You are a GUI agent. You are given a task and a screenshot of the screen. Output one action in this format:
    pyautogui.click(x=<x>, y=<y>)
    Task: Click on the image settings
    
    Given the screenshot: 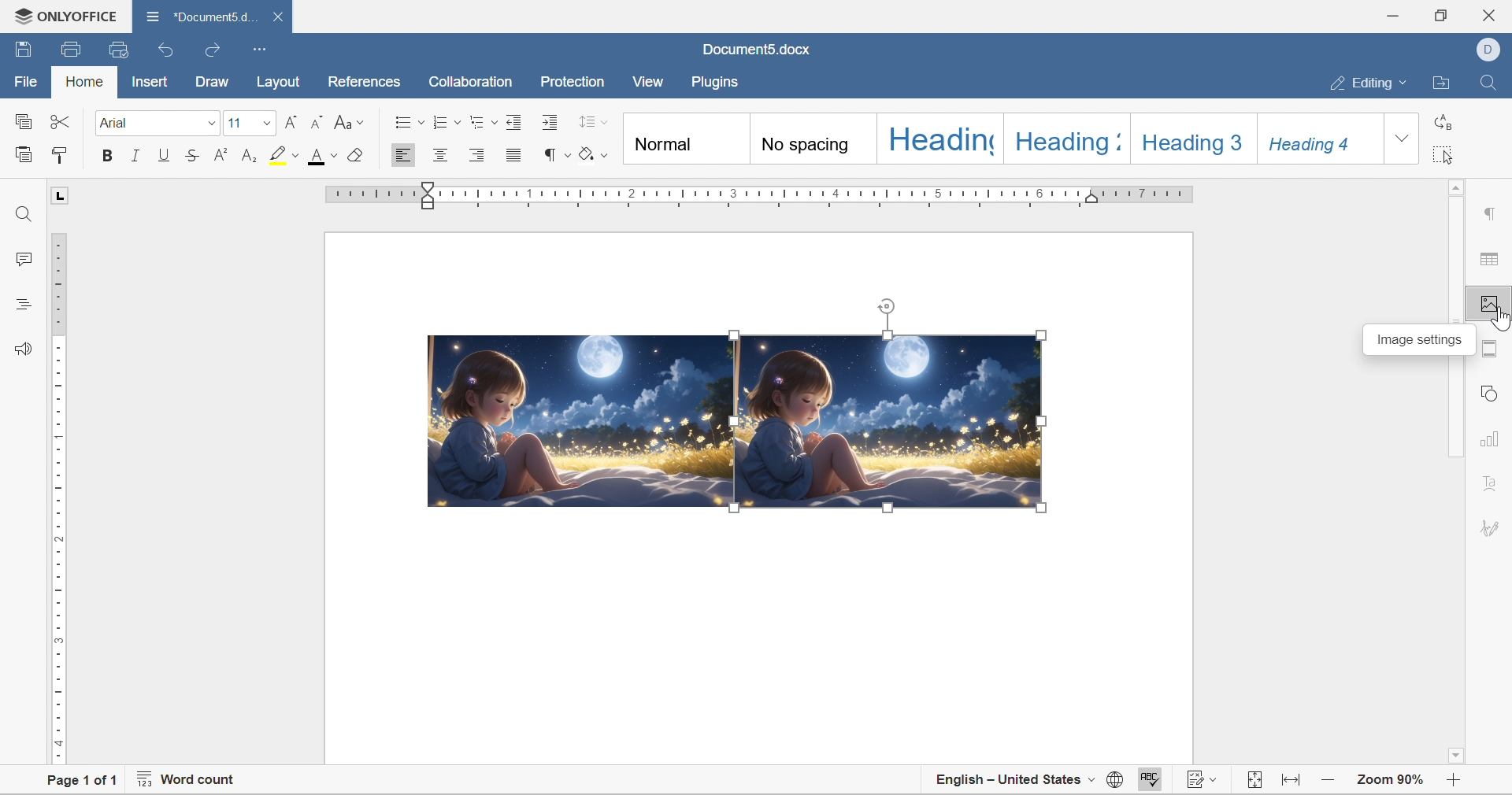 What is the action you would take?
    pyautogui.click(x=1422, y=339)
    